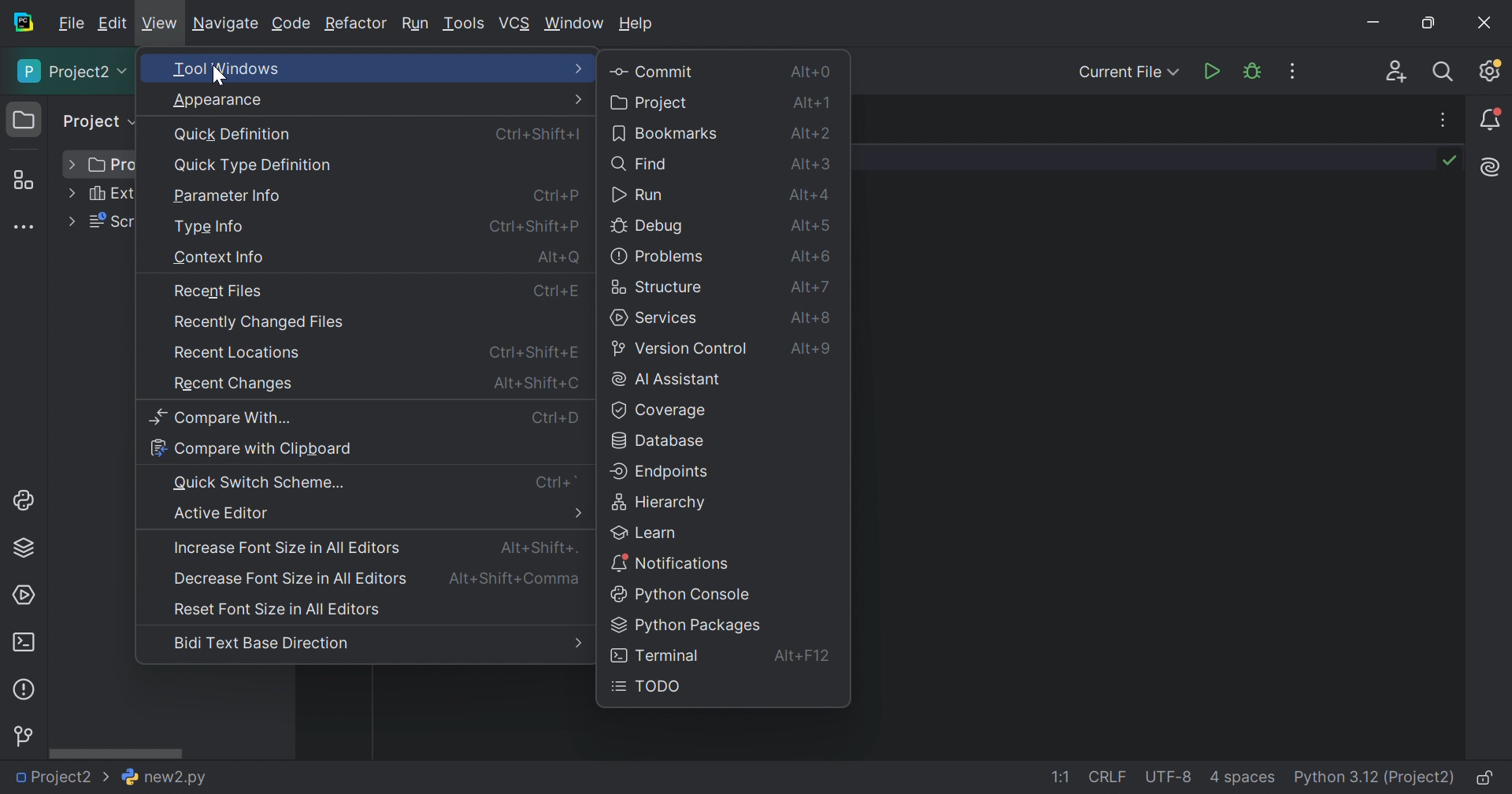 The width and height of the screenshot is (1512, 794). Describe the element at coordinates (658, 256) in the screenshot. I see `Problems` at that location.